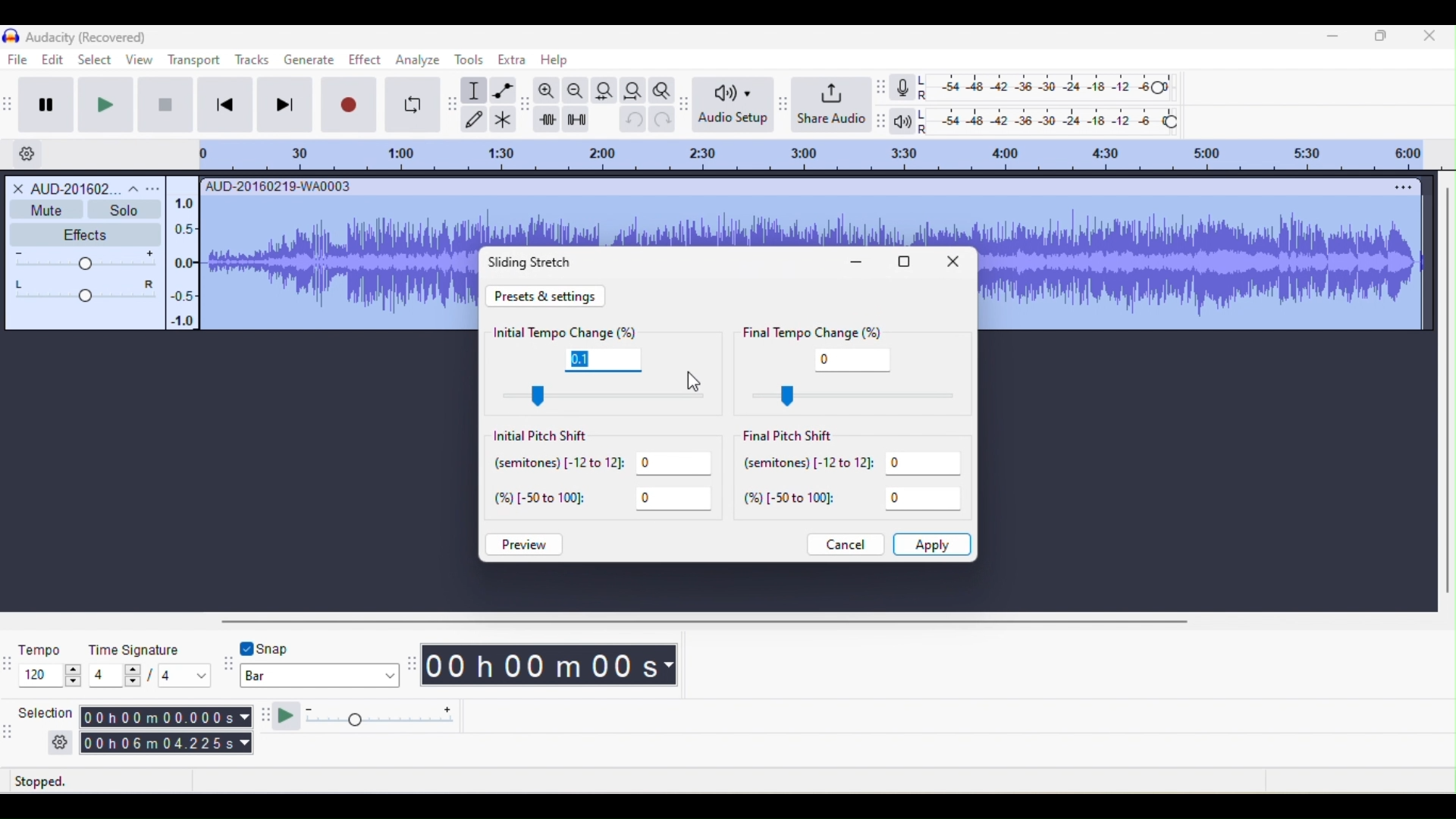 The image size is (1456, 819). Describe the element at coordinates (903, 124) in the screenshot. I see `playback meter` at that location.